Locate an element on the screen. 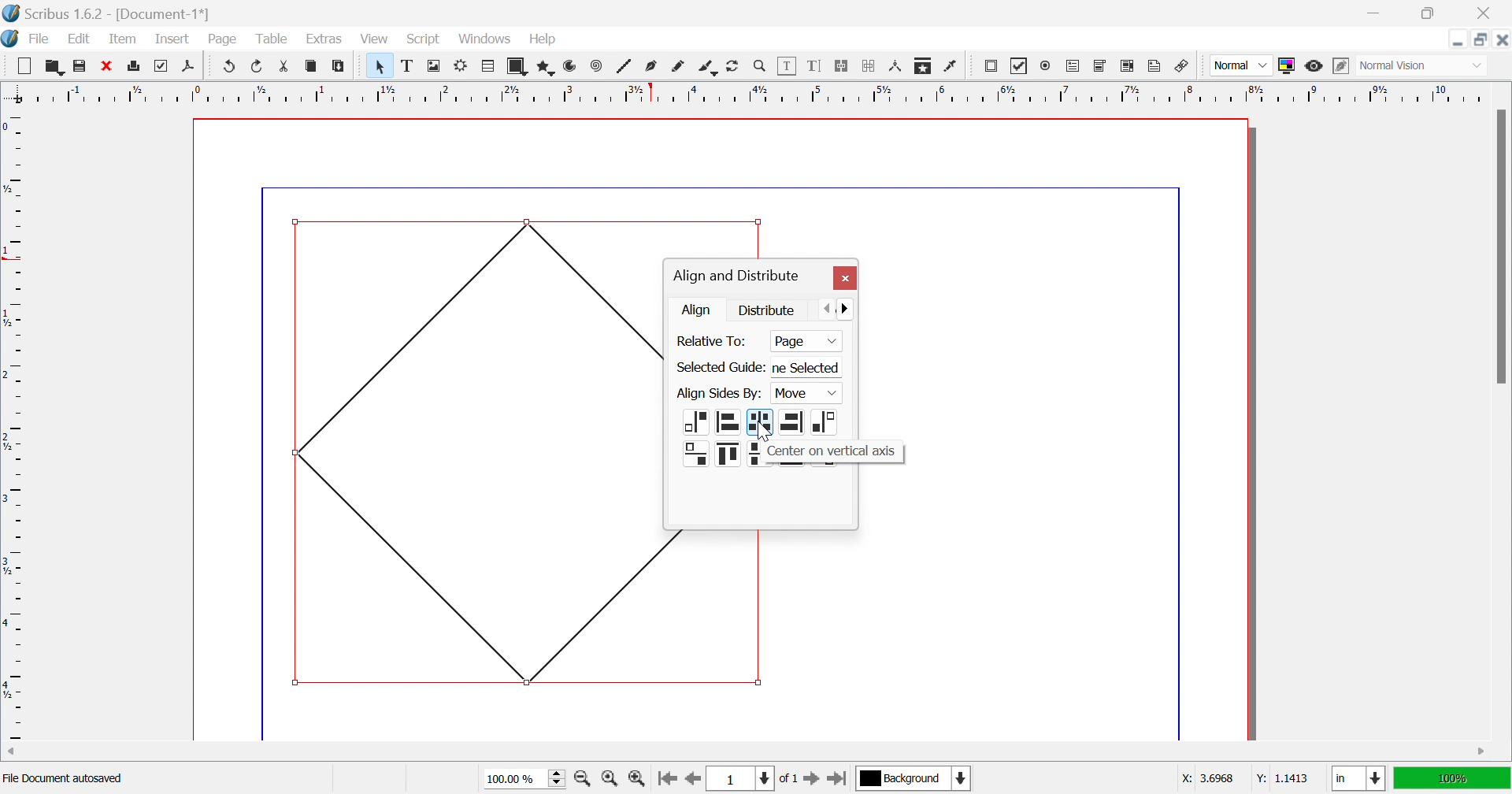 The image size is (1512, 794). Rotate item is located at coordinates (732, 66).